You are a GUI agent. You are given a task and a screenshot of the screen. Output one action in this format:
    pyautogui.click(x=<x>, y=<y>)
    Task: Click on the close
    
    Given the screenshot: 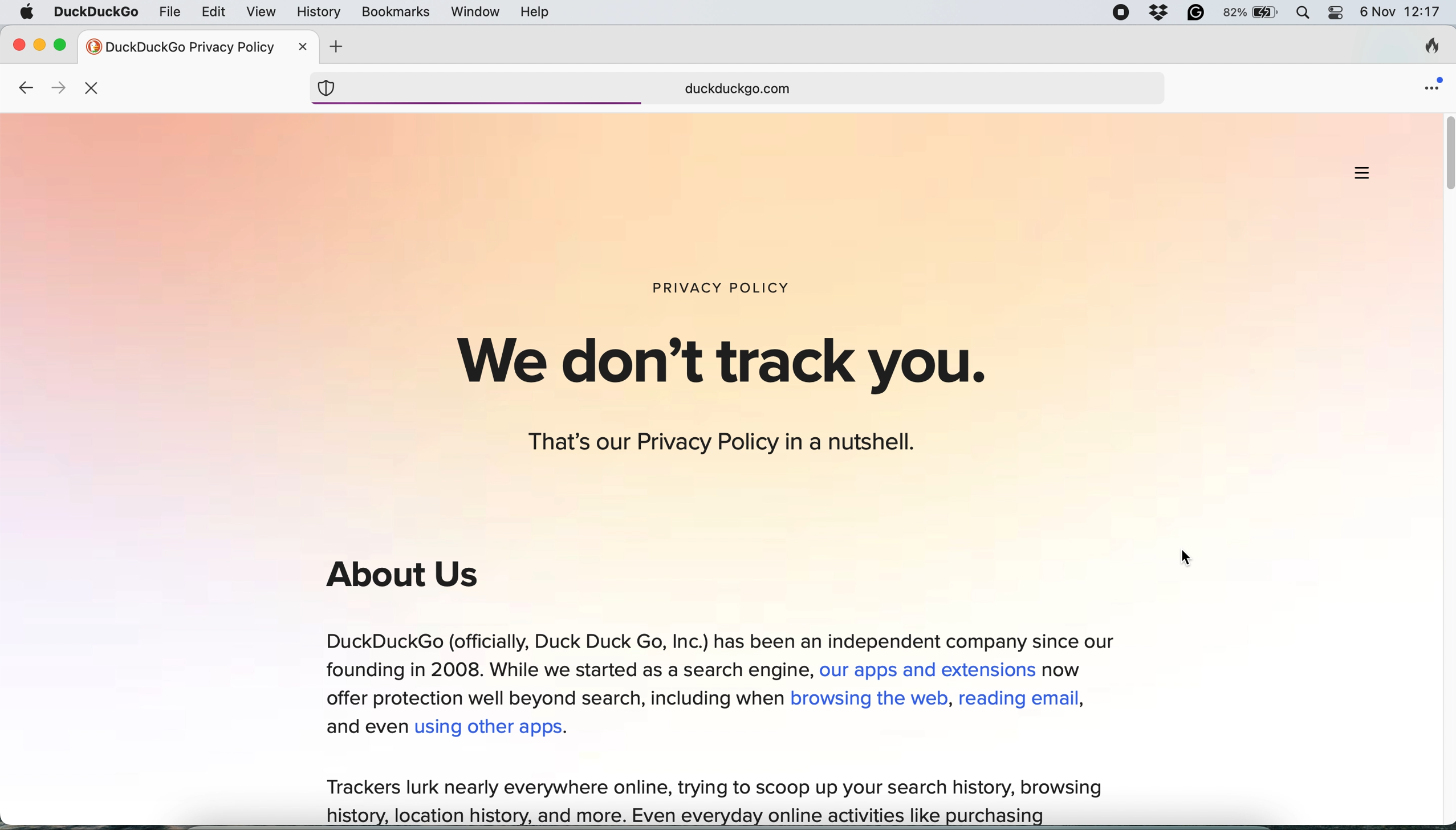 What is the action you would take?
    pyautogui.click(x=15, y=45)
    